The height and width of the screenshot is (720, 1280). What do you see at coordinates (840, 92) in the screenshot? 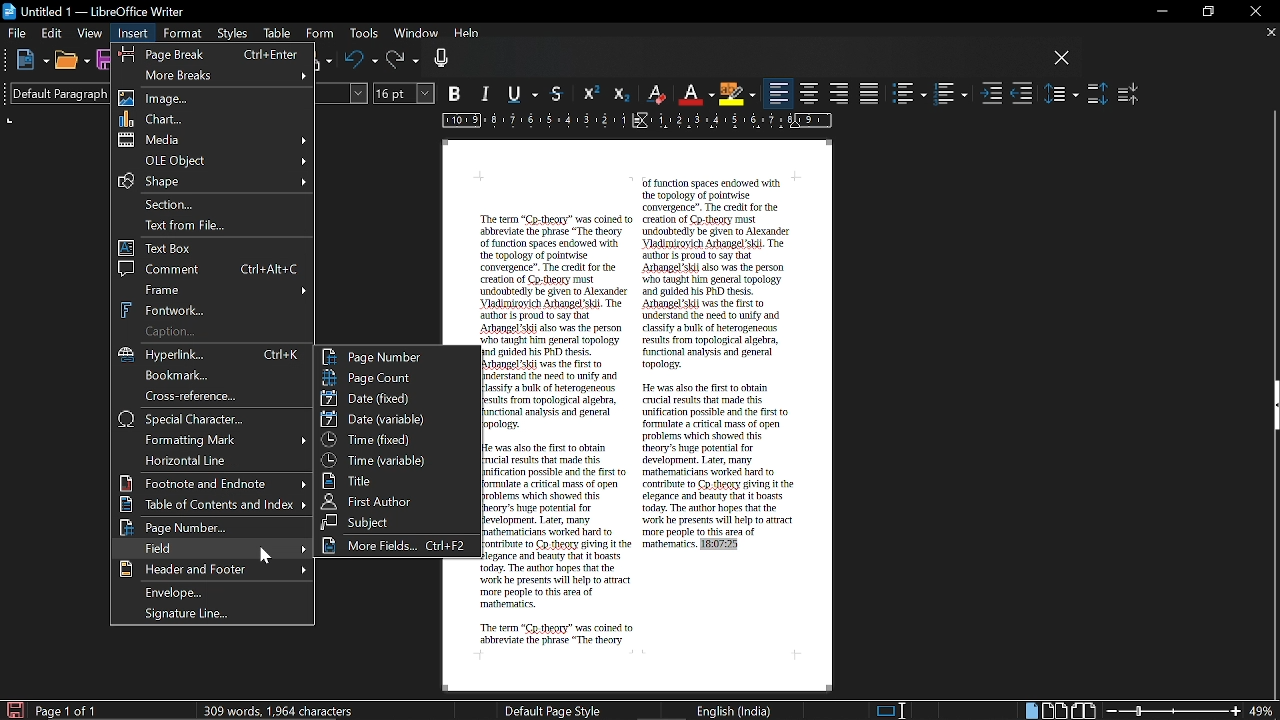
I see `Align right` at bounding box center [840, 92].